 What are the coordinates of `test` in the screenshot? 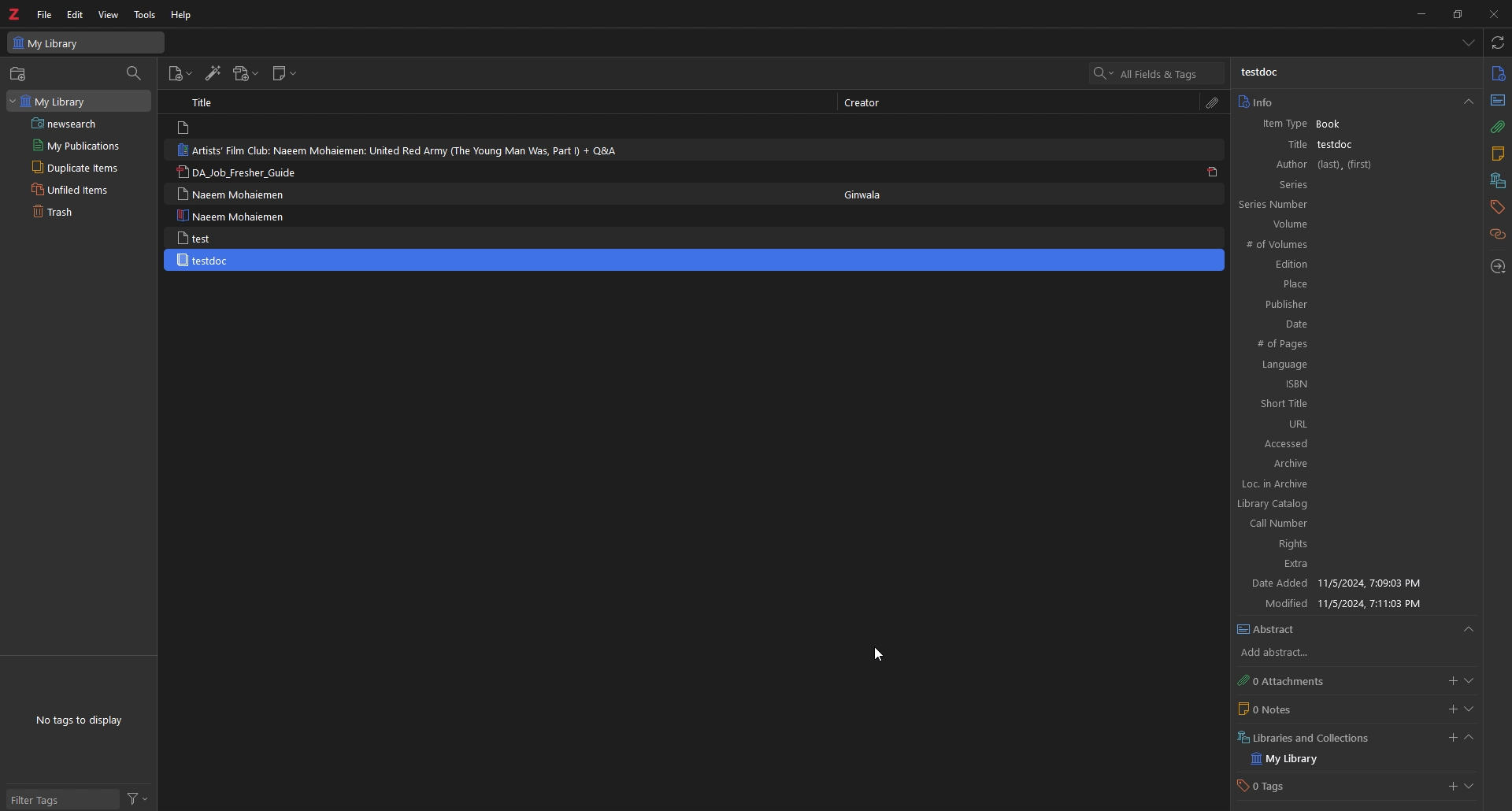 It's located at (196, 238).